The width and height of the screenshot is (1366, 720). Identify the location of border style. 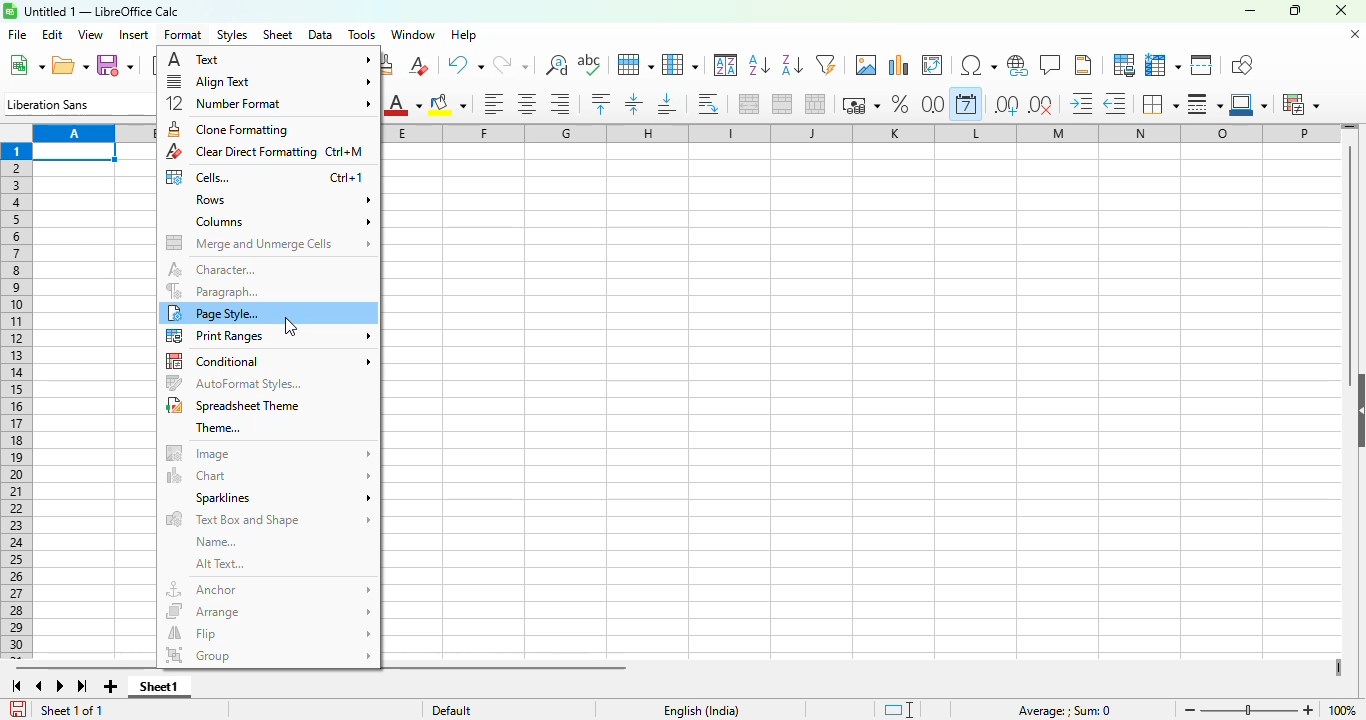
(1204, 104).